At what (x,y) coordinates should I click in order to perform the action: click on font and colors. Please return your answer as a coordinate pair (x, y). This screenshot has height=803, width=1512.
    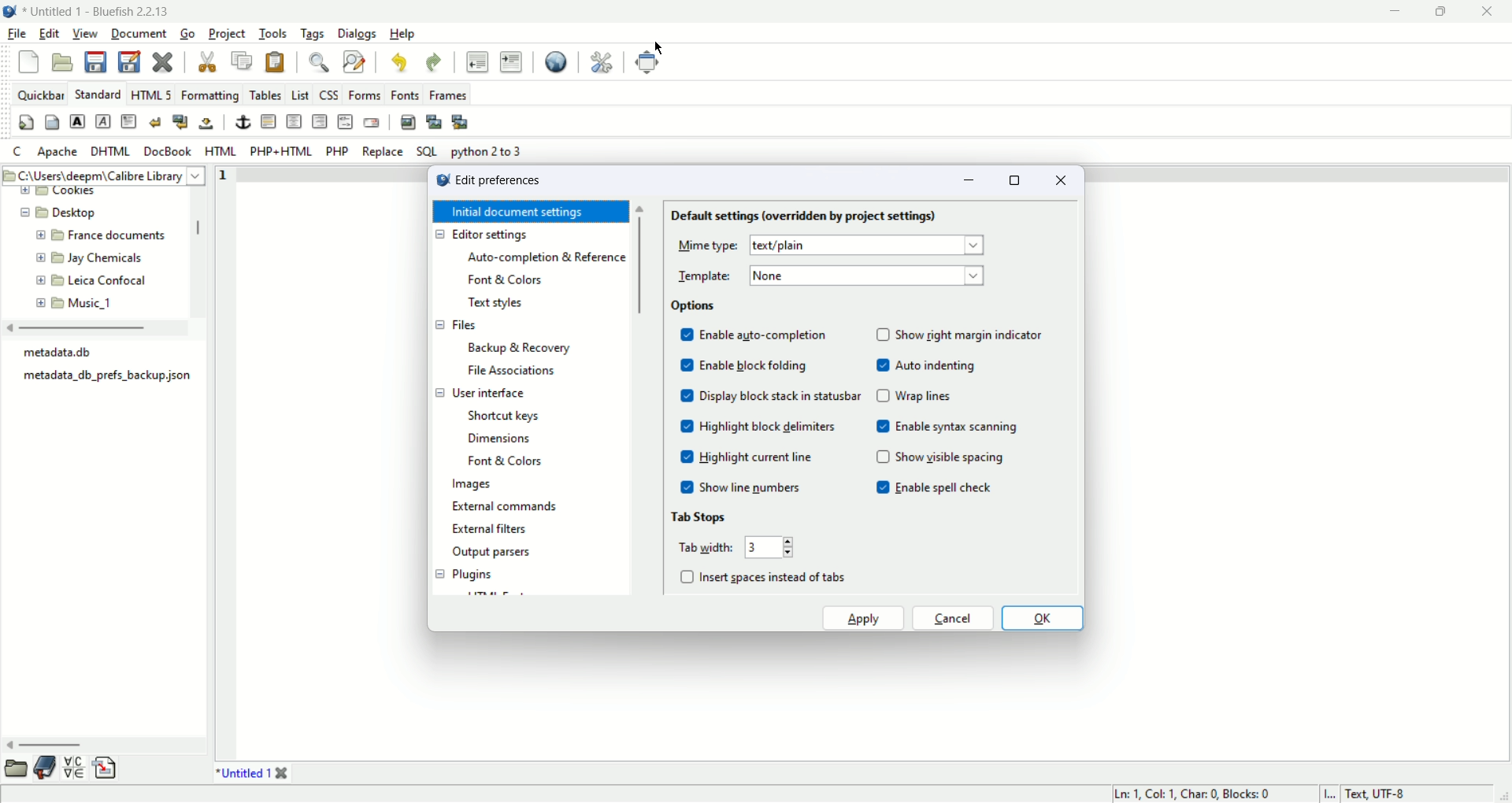
    Looking at the image, I should click on (524, 281).